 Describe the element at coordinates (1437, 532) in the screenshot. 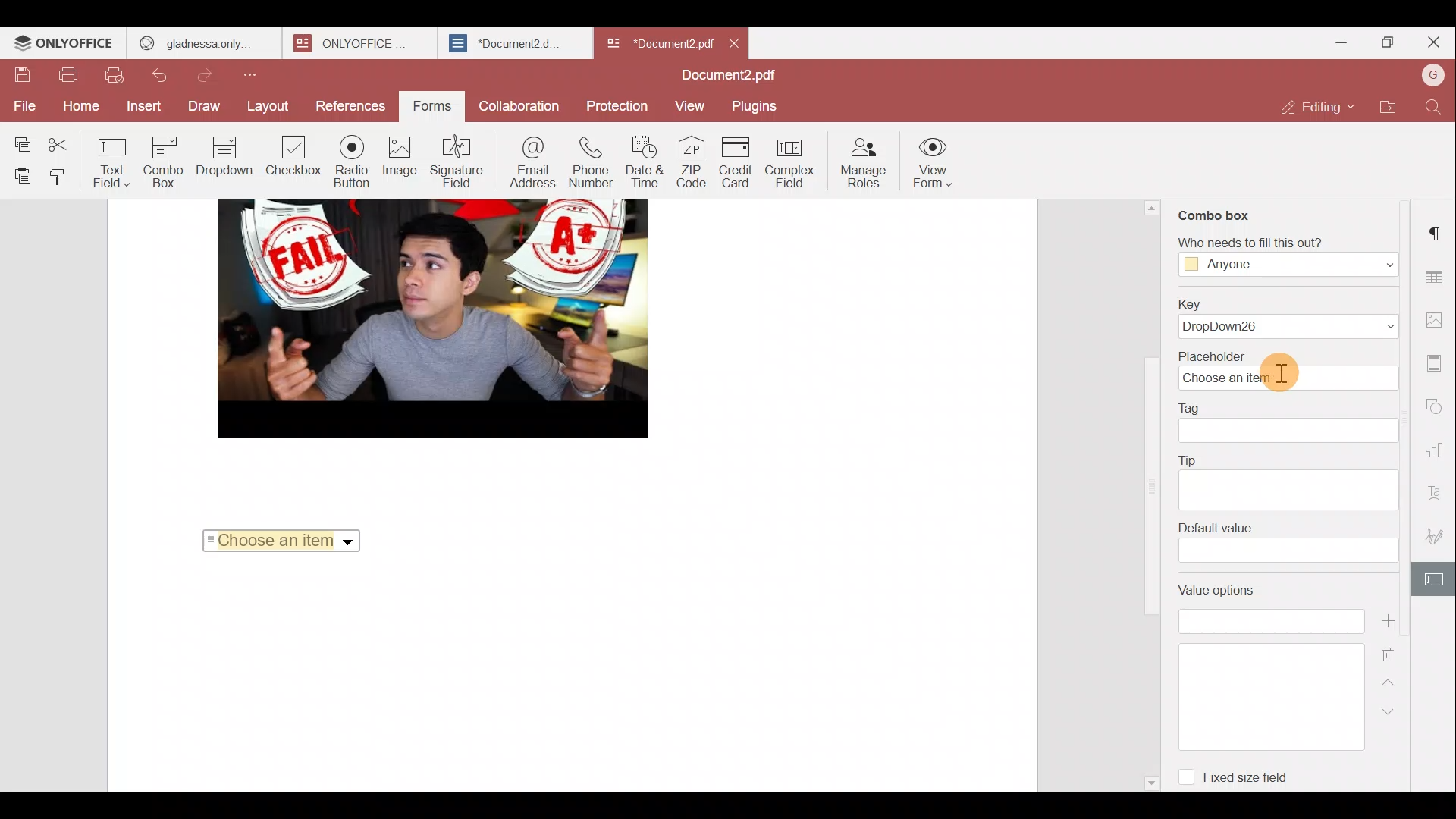

I see `Signature settings` at that location.